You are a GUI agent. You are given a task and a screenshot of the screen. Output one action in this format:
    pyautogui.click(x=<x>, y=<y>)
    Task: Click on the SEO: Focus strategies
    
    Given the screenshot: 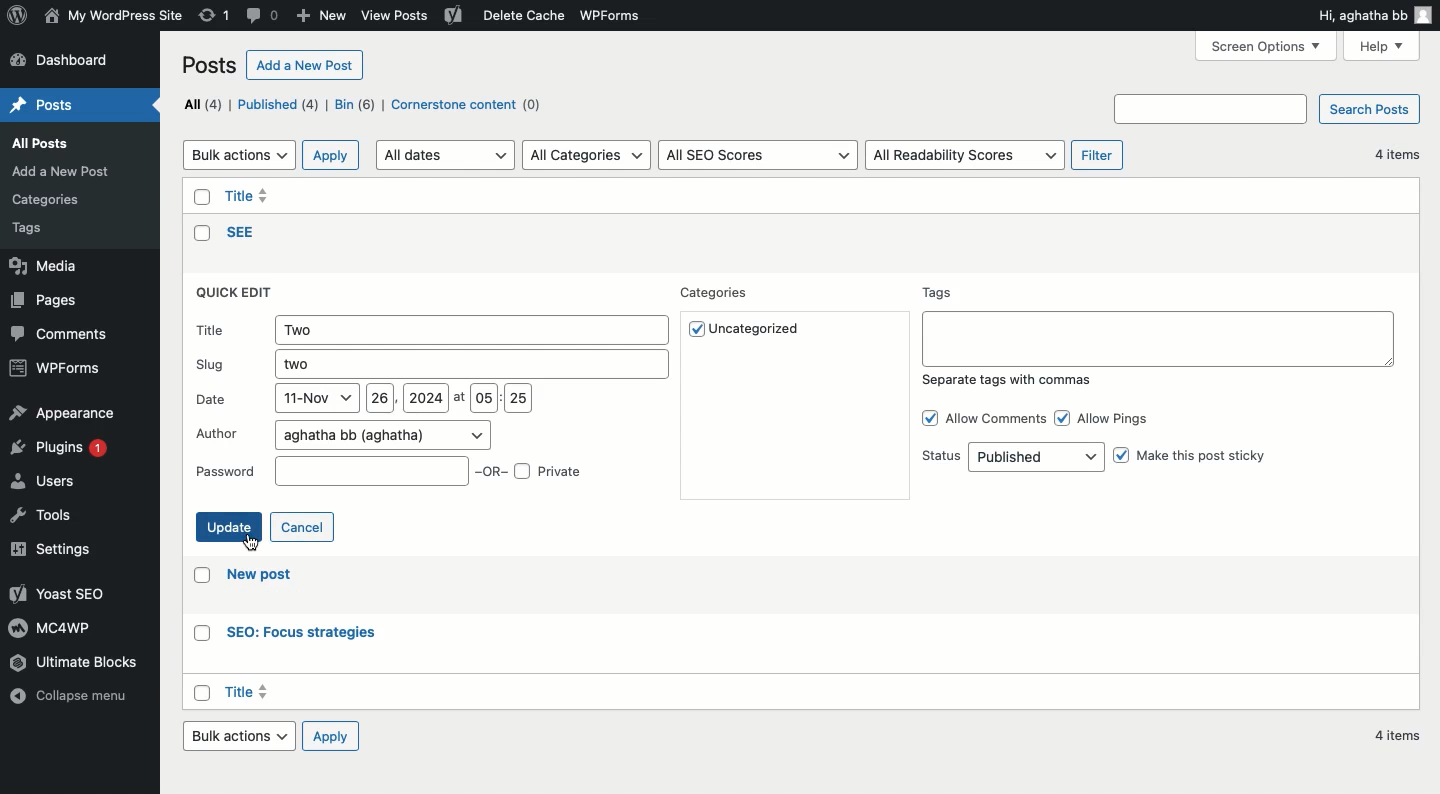 What is the action you would take?
    pyautogui.click(x=299, y=633)
    